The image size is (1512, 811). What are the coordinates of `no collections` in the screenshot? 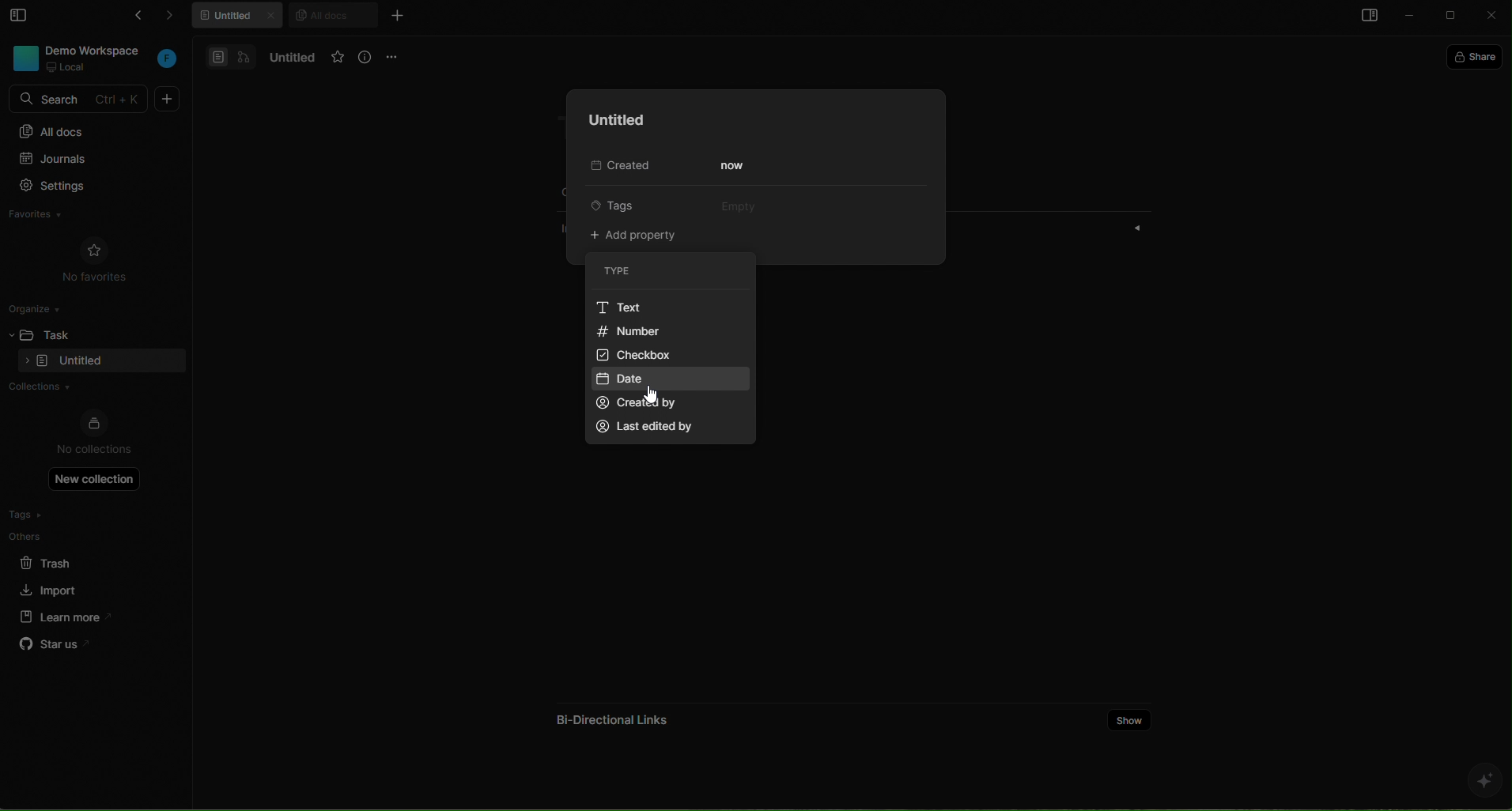 It's located at (94, 434).